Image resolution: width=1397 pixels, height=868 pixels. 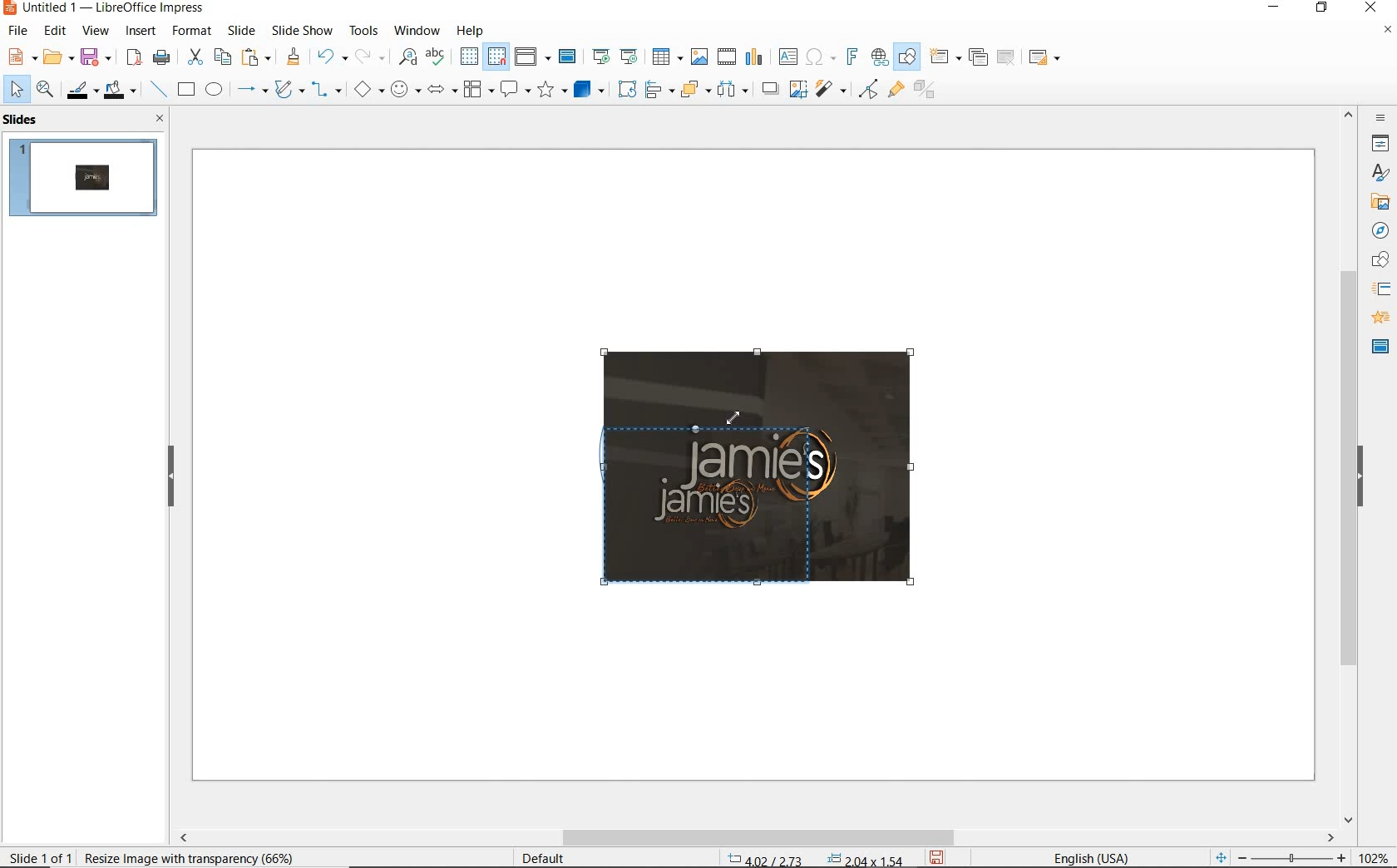 I want to click on rotate, so click(x=624, y=88).